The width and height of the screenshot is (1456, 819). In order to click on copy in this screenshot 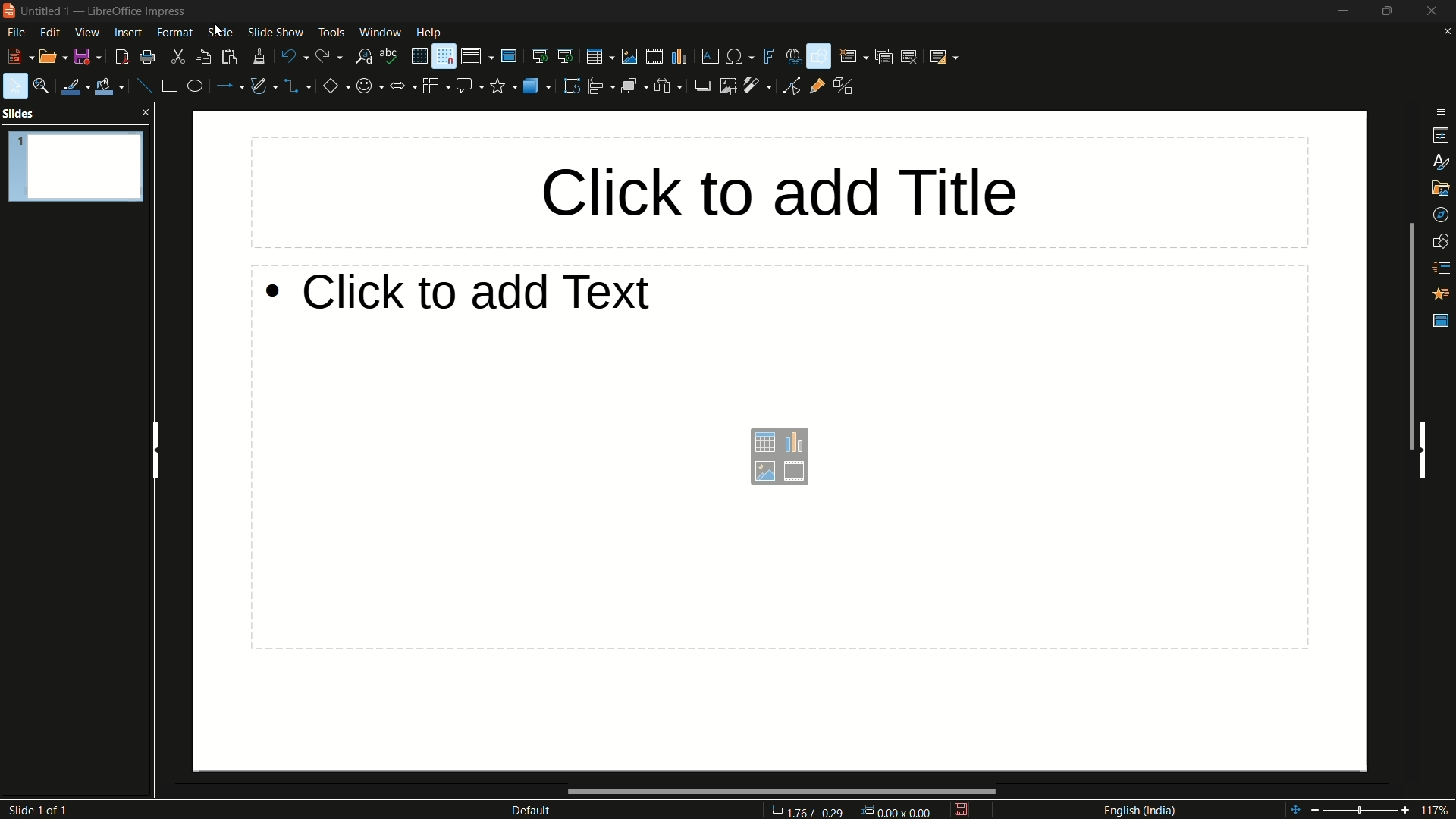, I will do `click(201, 57)`.